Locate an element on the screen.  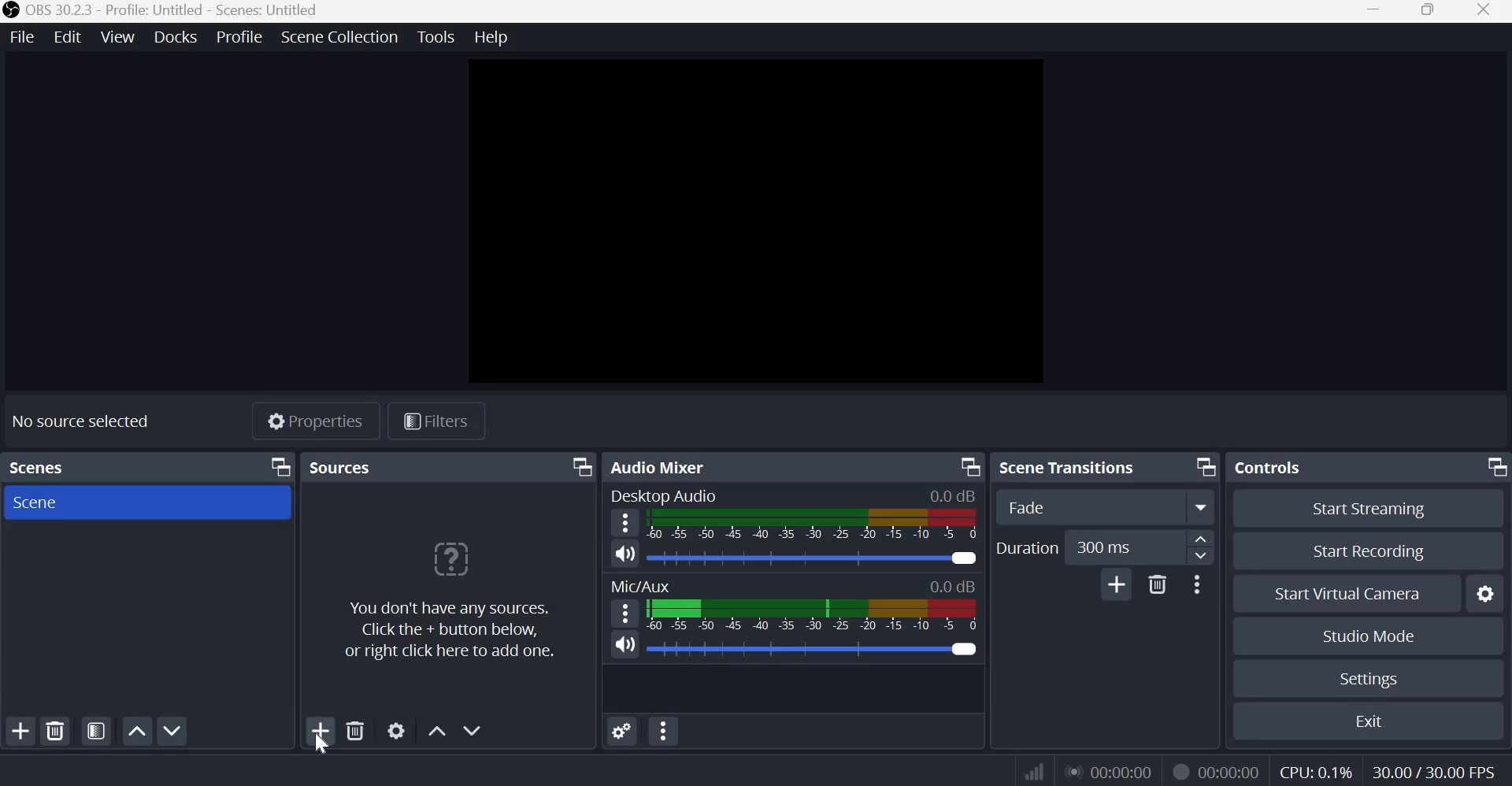
00:00:00 is located at coordinates (1106, 771).